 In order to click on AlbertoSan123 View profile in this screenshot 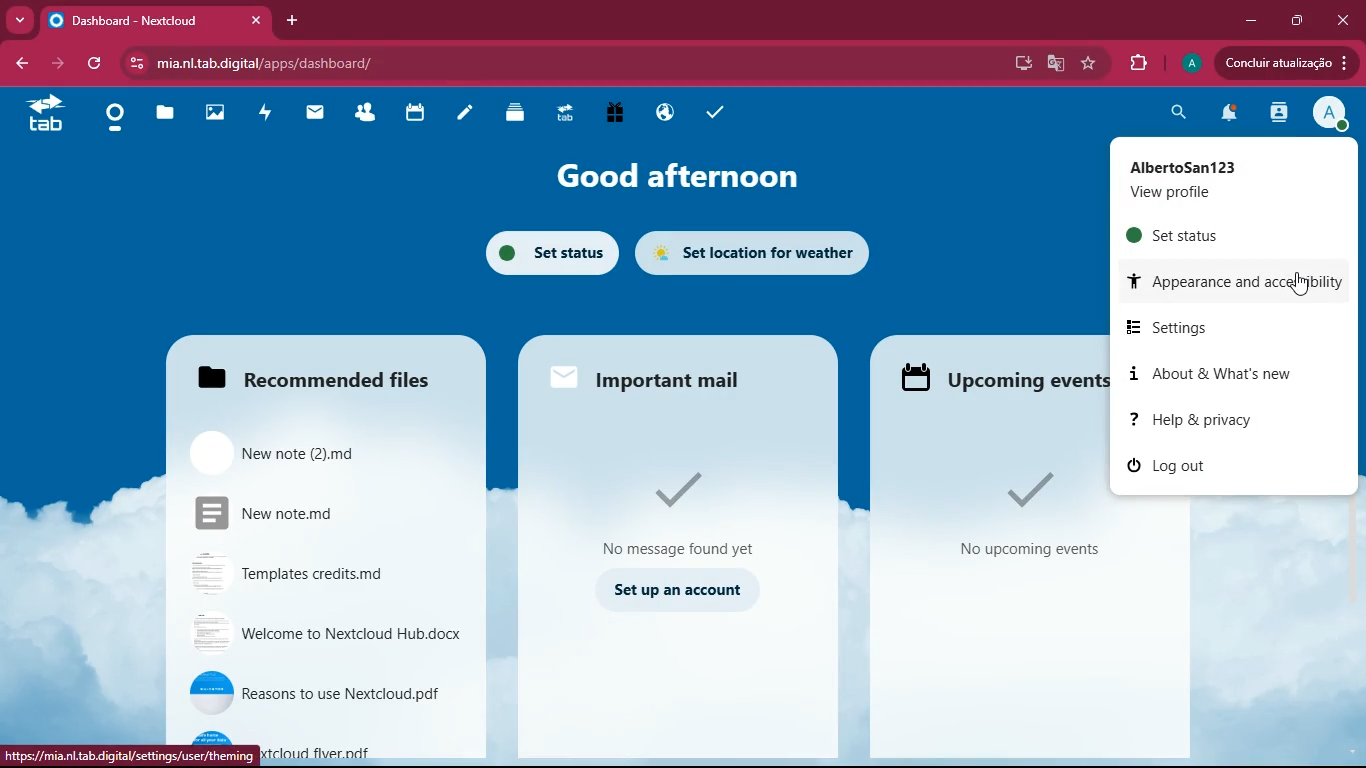, I will do `click(1227, 179)`.